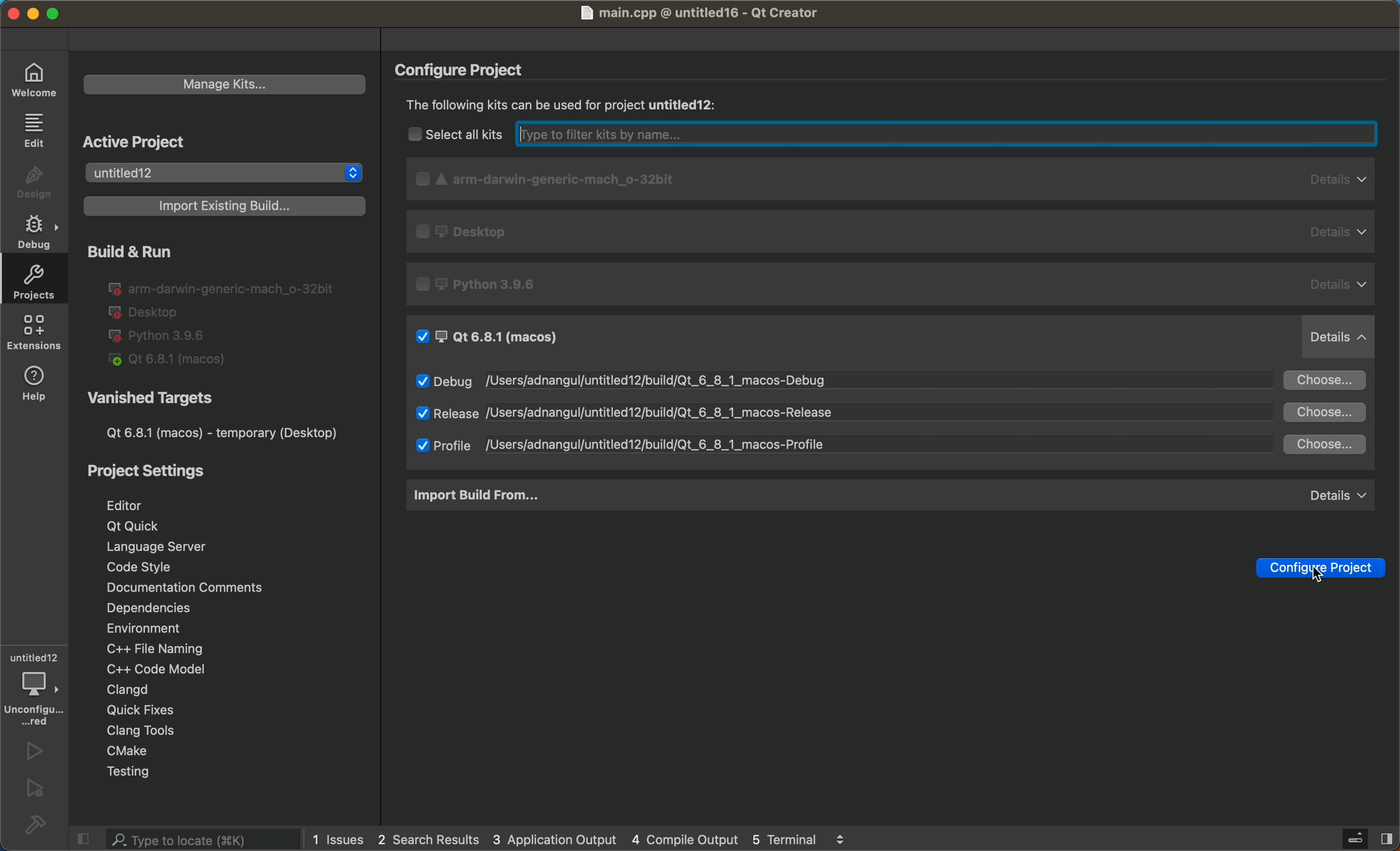 Image resolution: width=1400 pixels, height=851 pixels. Describe the element at coordinates (890, 496) in the screenshot. I see `import from` at that location.